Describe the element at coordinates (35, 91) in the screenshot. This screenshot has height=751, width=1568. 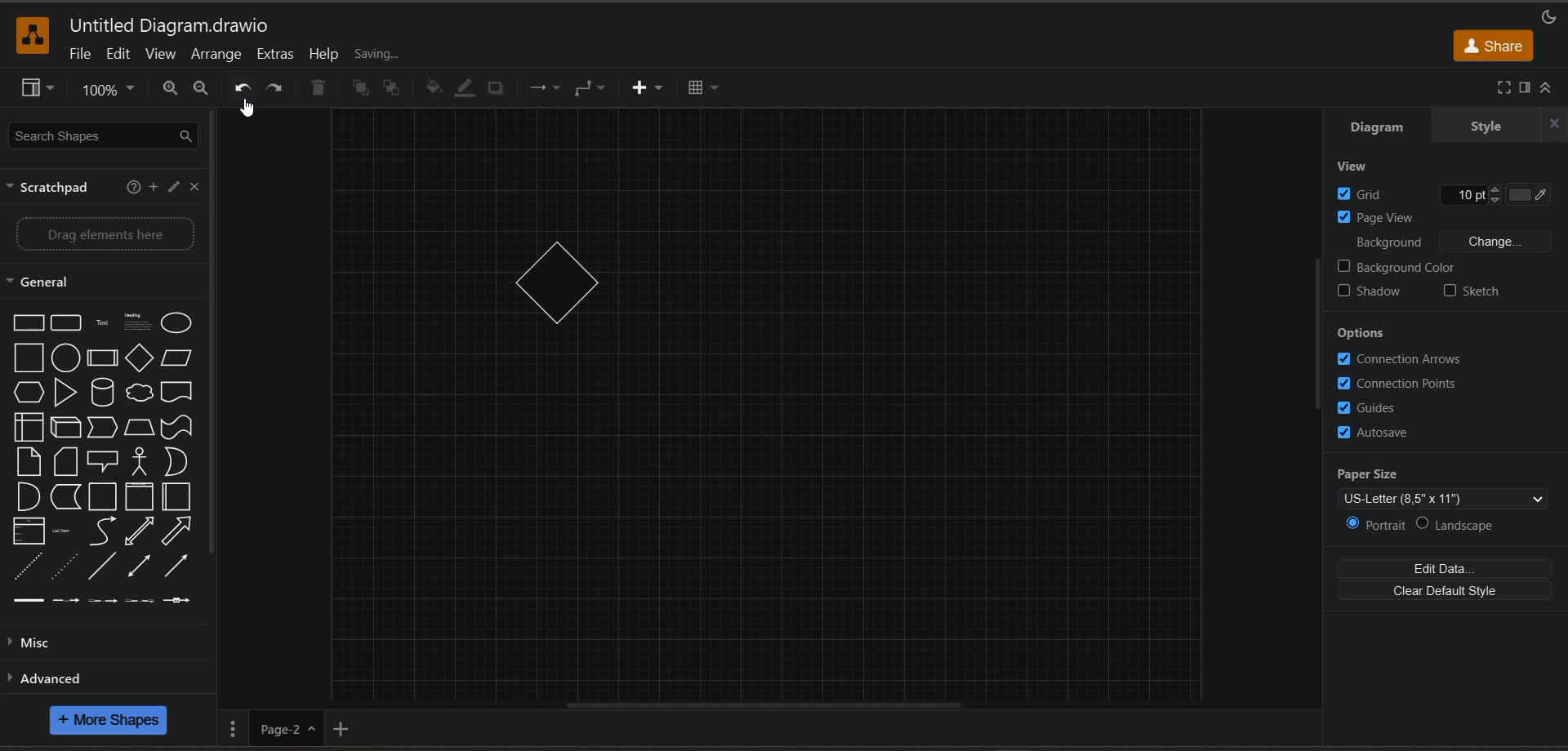
I see `view` at that location.